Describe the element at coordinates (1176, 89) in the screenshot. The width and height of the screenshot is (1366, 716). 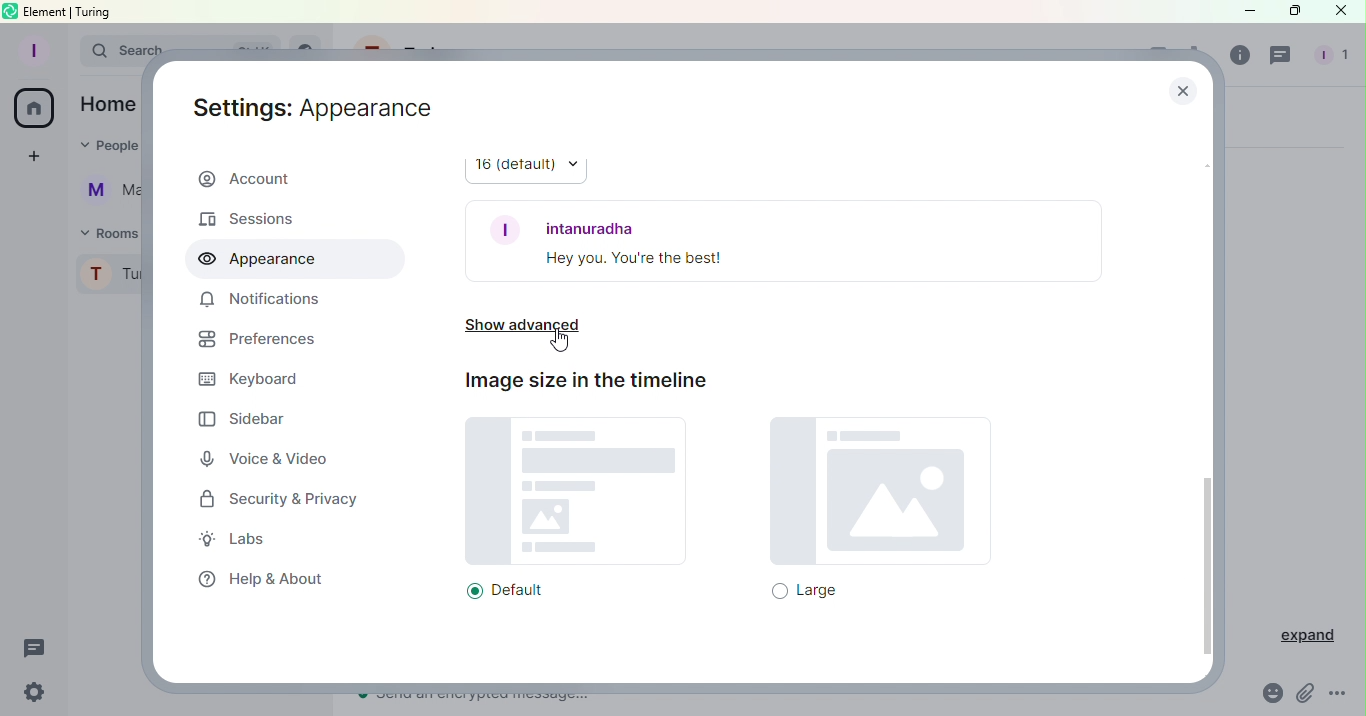
I see `Close` at that location.